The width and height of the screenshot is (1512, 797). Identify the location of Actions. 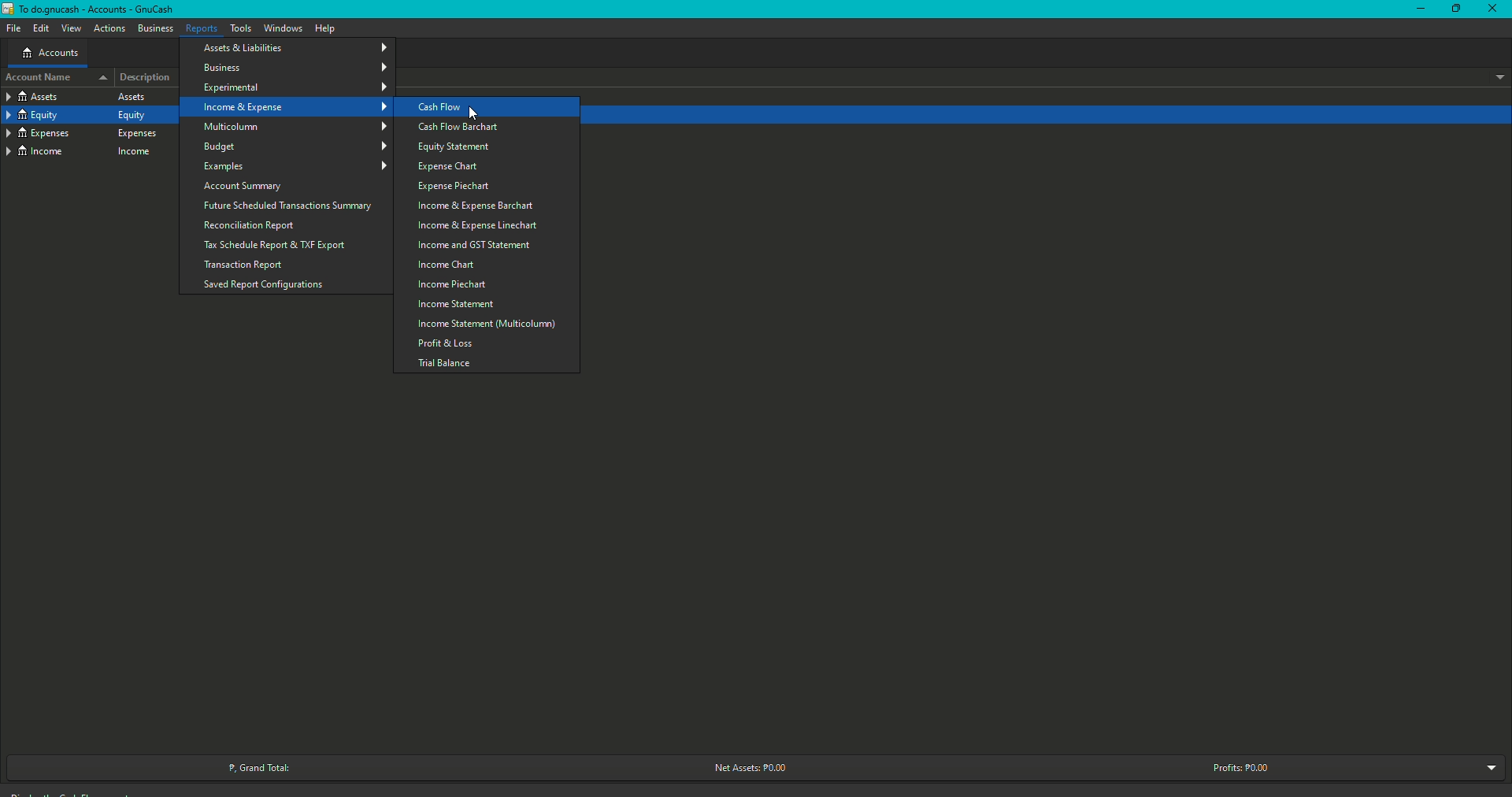
(110, 27).